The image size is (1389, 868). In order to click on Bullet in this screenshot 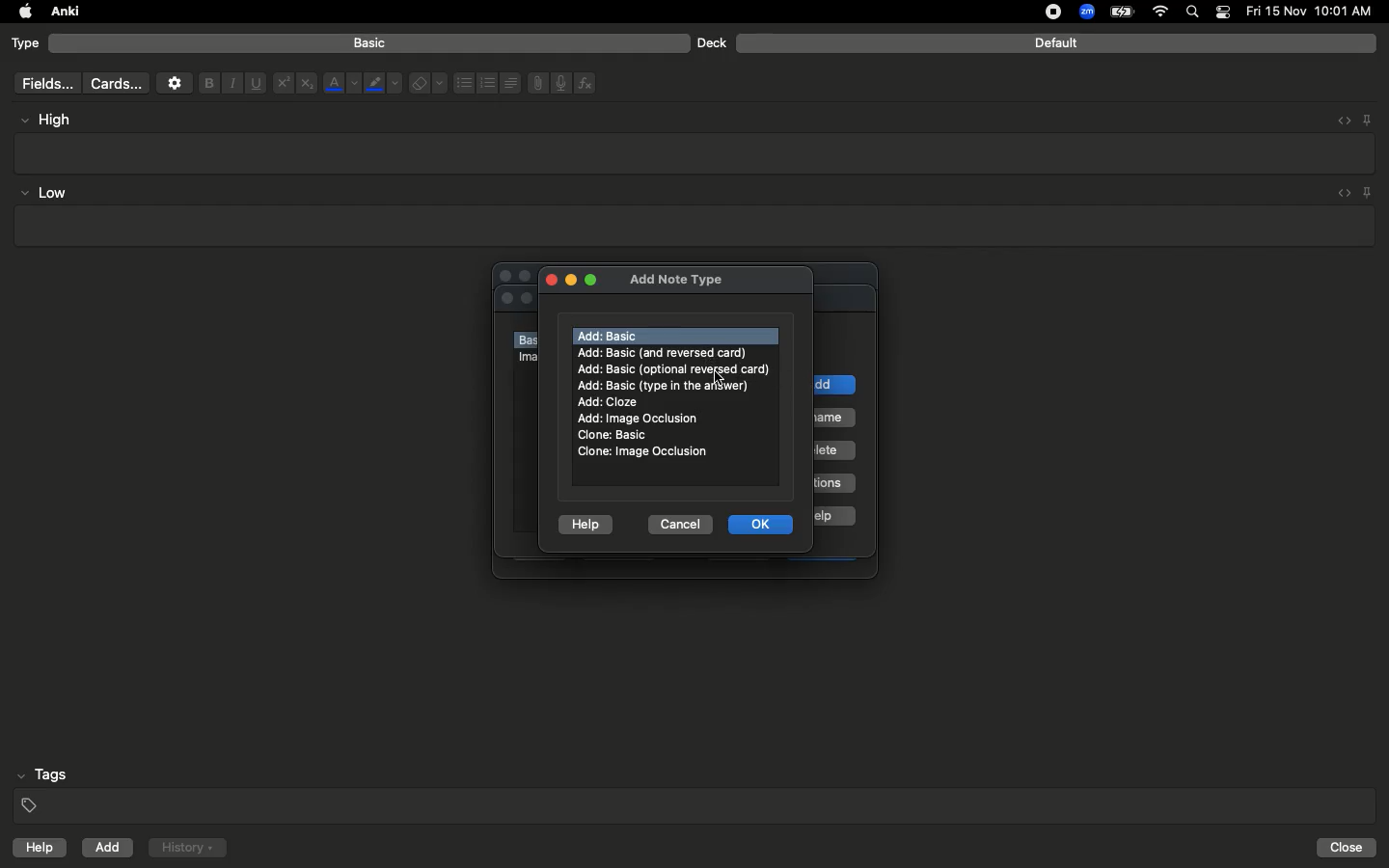, I will do `click(463, 83)`.